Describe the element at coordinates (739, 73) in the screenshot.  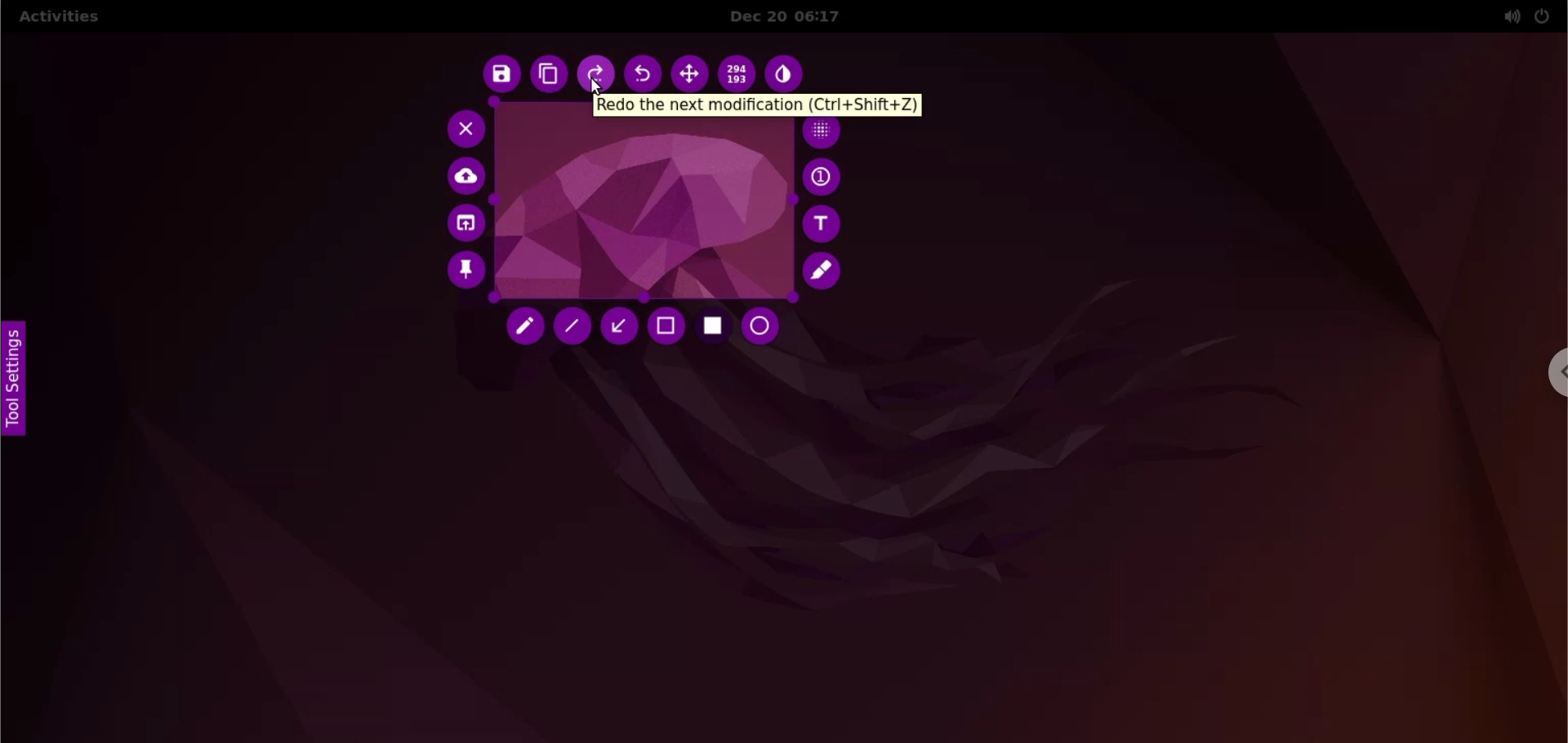
I see `x and y coordinate value` at that location.